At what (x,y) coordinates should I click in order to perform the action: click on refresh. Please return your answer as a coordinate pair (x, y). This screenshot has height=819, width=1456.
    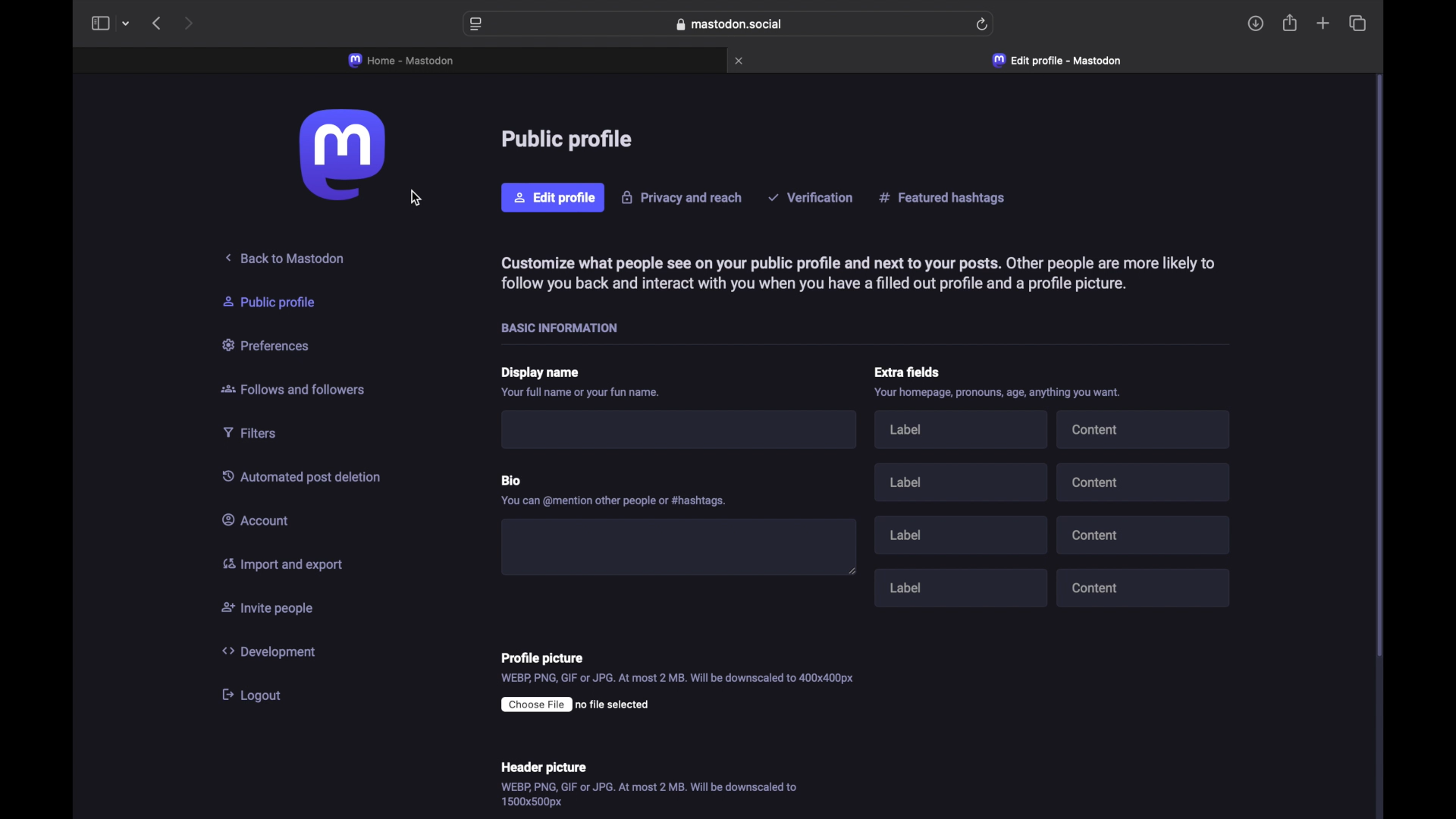
    Looking at the image, I should click on (983, 24).